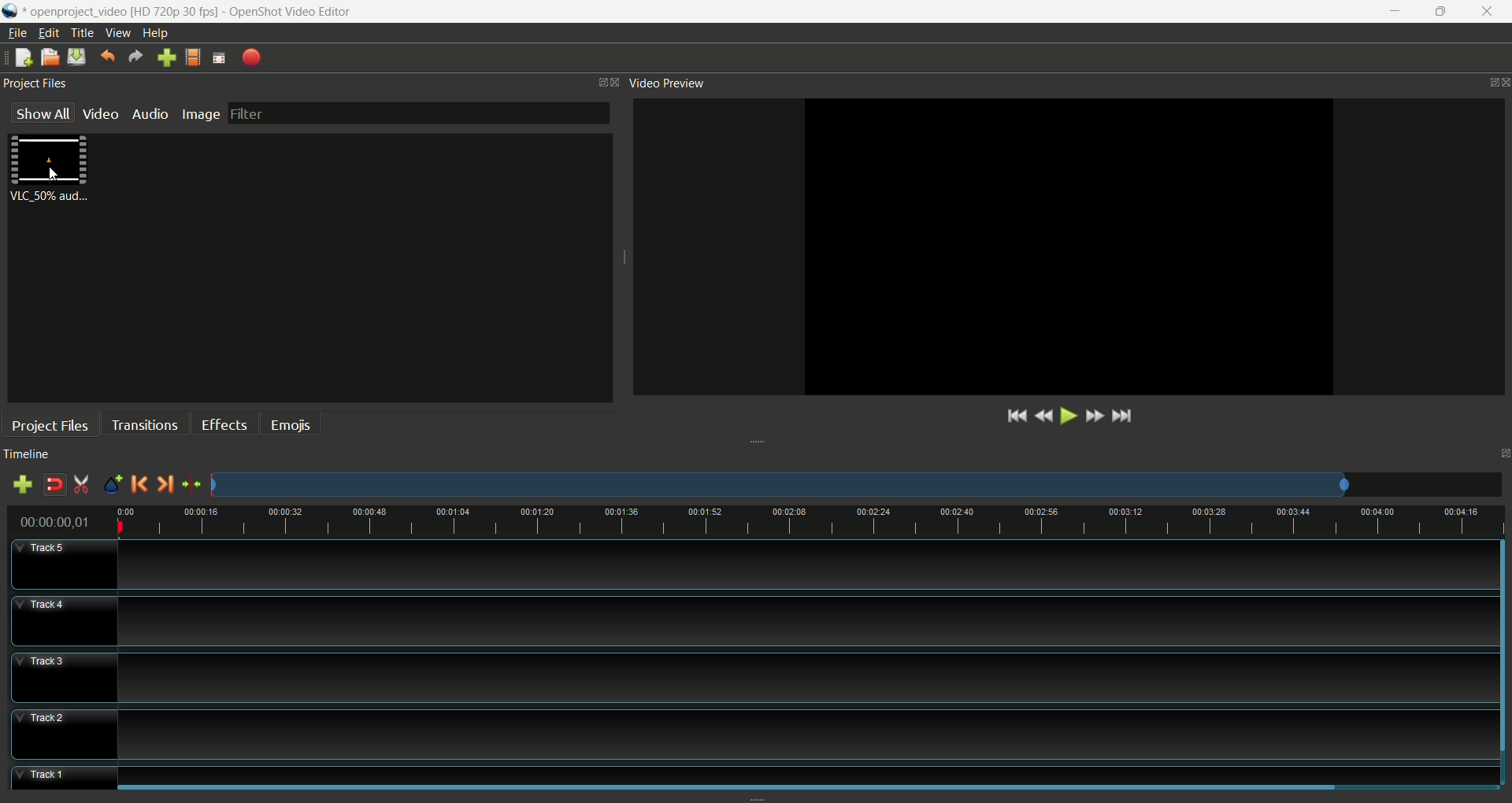 This screenshot has width=1512, height=803. Describe the element at coordinates (1440, 13) in the screenshot. I see `maximize` at that location.